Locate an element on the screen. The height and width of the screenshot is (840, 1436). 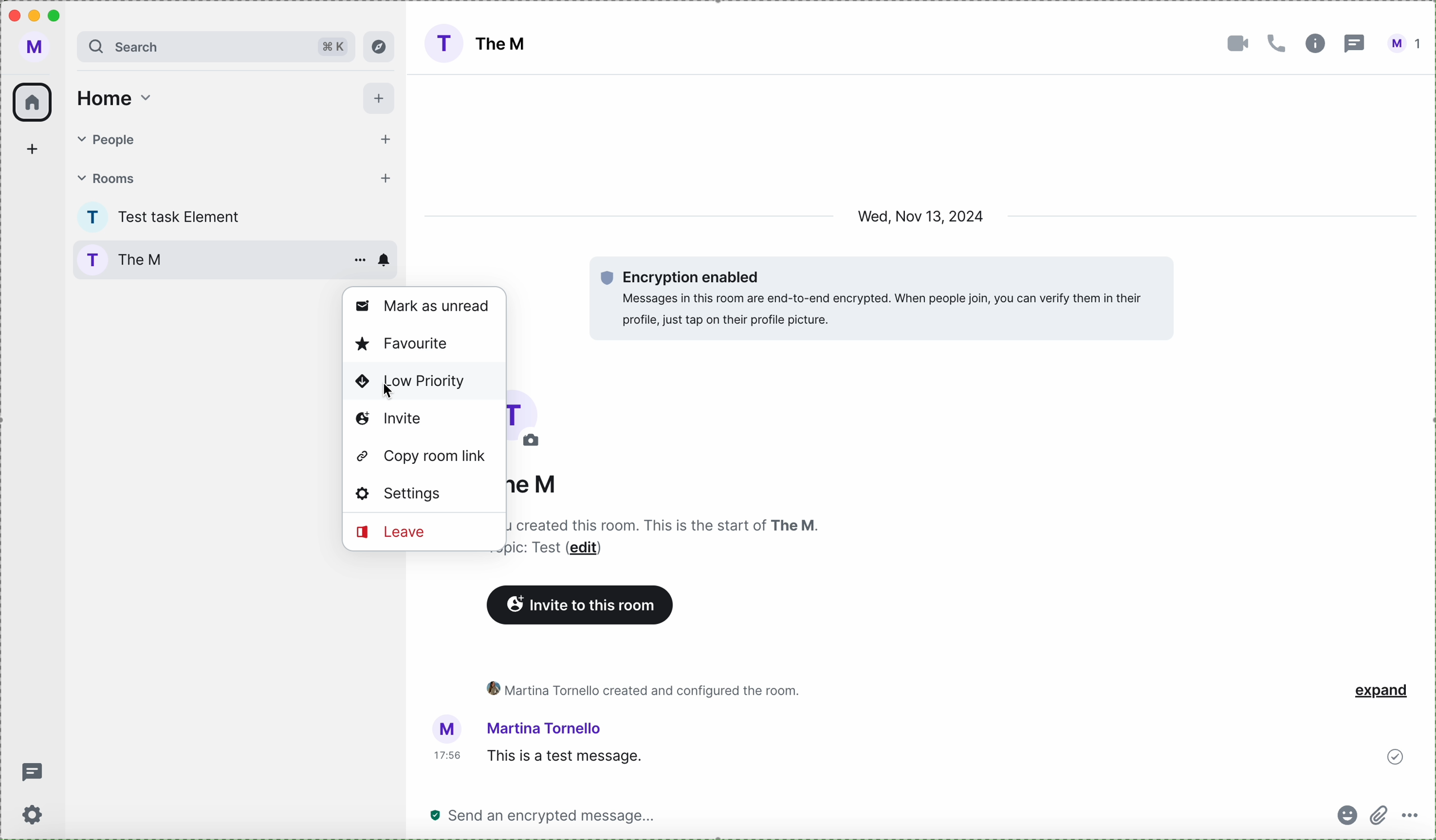
maximize is located at coordinates (55, 15).